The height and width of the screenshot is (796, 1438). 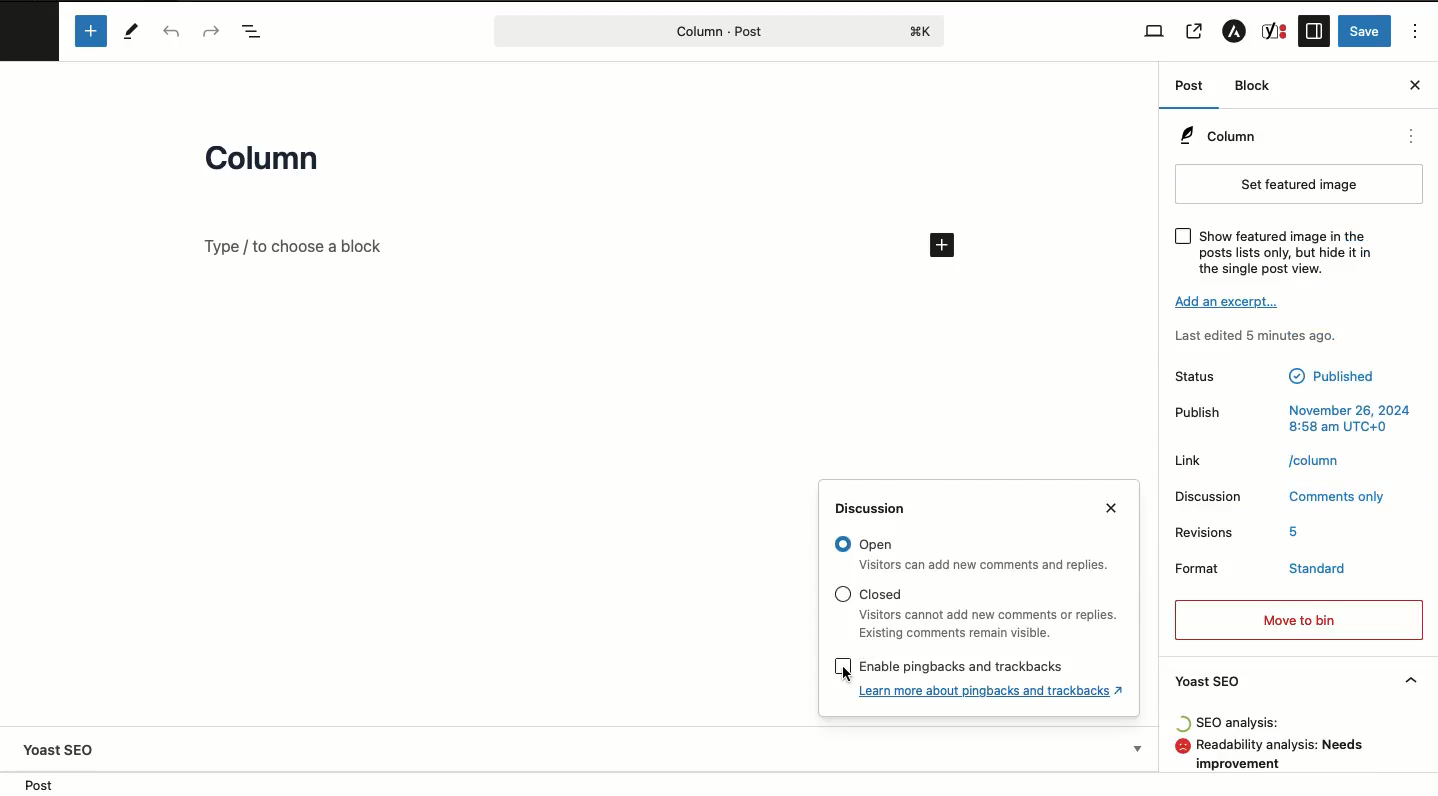 I want to click on command+K, so click(x=922, y=32).